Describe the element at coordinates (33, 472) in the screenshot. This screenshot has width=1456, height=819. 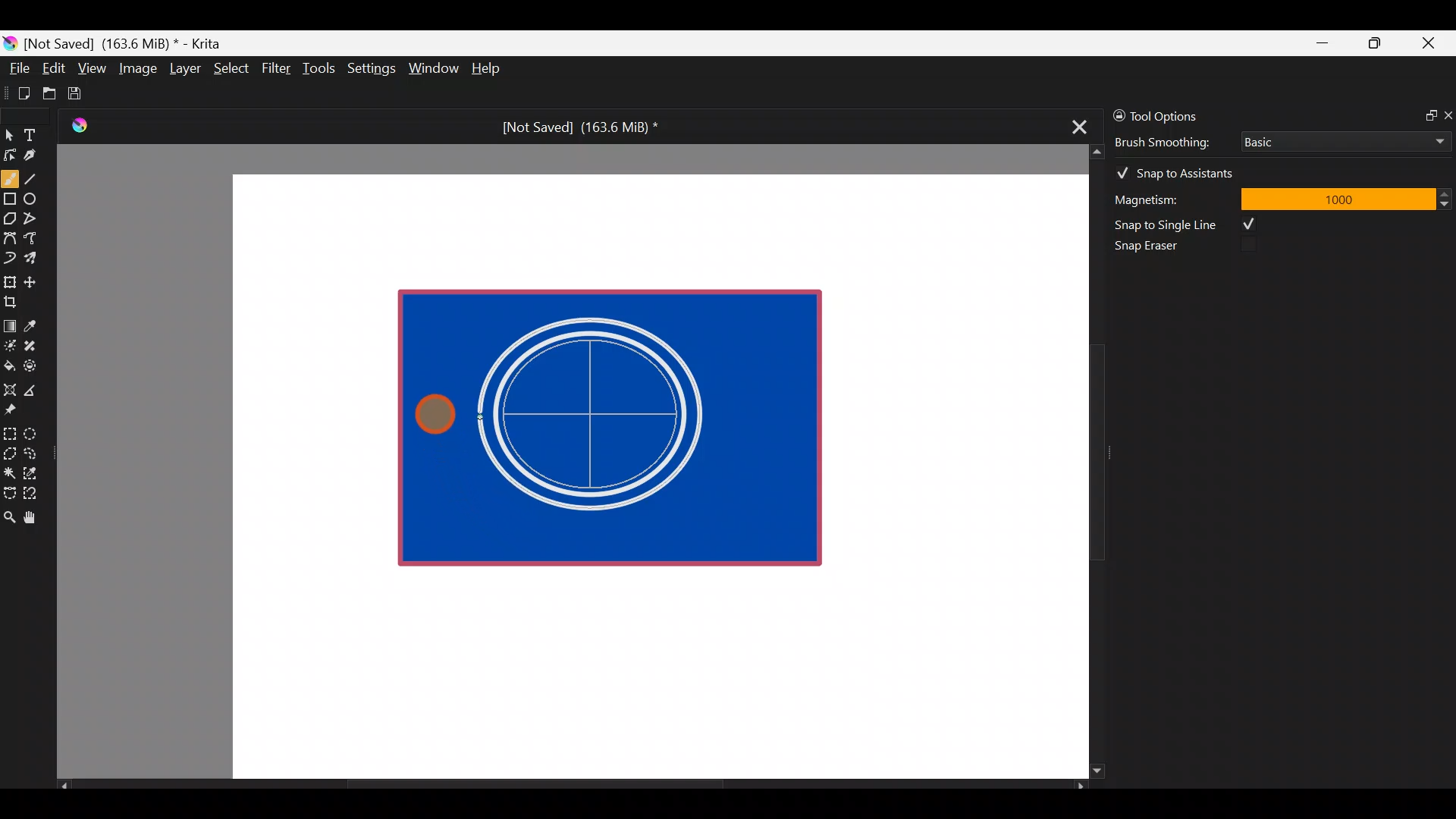
I see `Similar color selection tool` at that location.